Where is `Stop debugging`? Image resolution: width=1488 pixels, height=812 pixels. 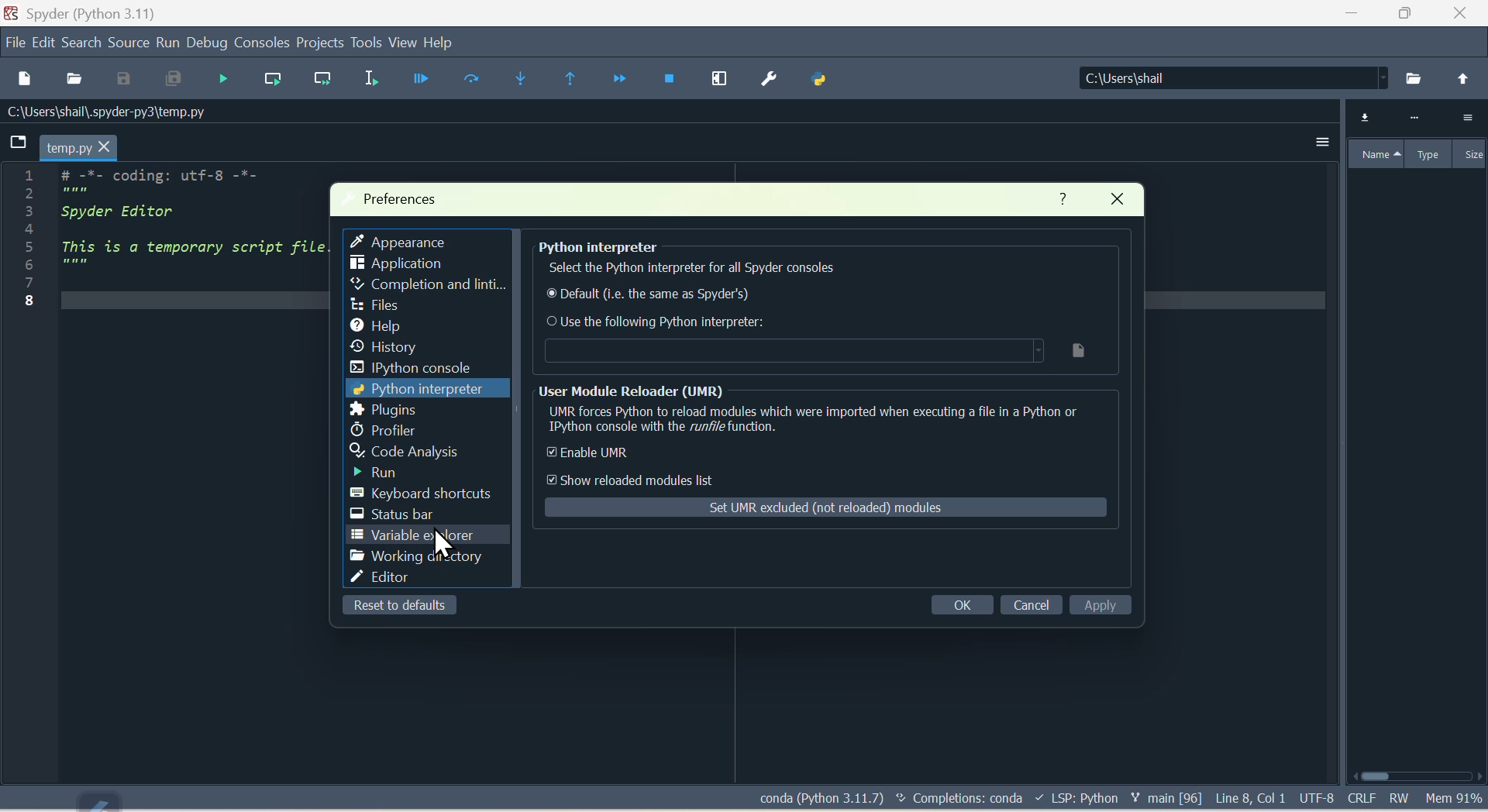 Stop debugging is located at coordinates (664, 79).